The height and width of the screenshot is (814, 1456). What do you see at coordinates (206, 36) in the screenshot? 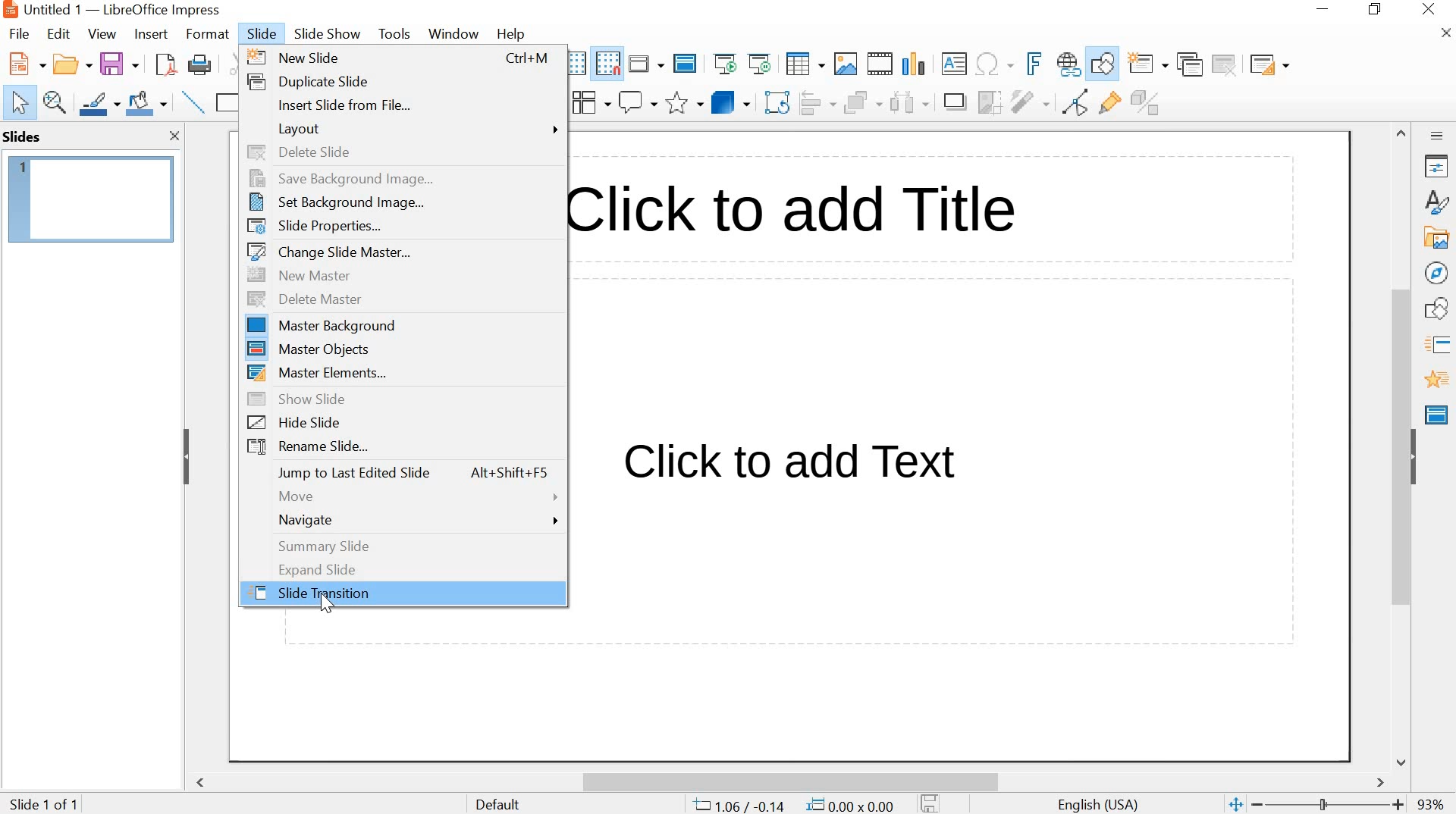
I see `FORMAT` at bounding box center [206, 36].